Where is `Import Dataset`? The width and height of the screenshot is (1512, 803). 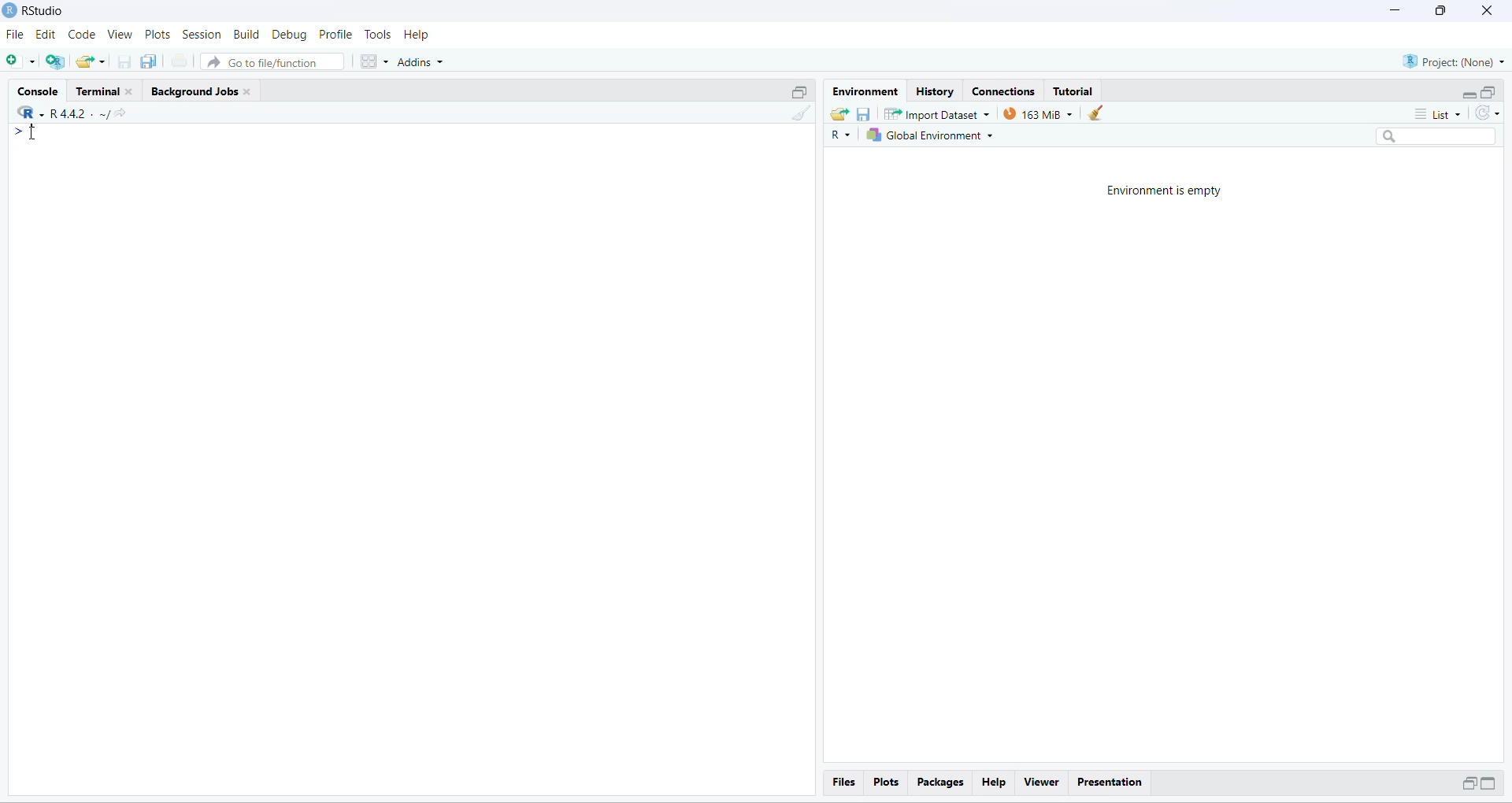 Import Dataset is located at coordinates (936, 114).